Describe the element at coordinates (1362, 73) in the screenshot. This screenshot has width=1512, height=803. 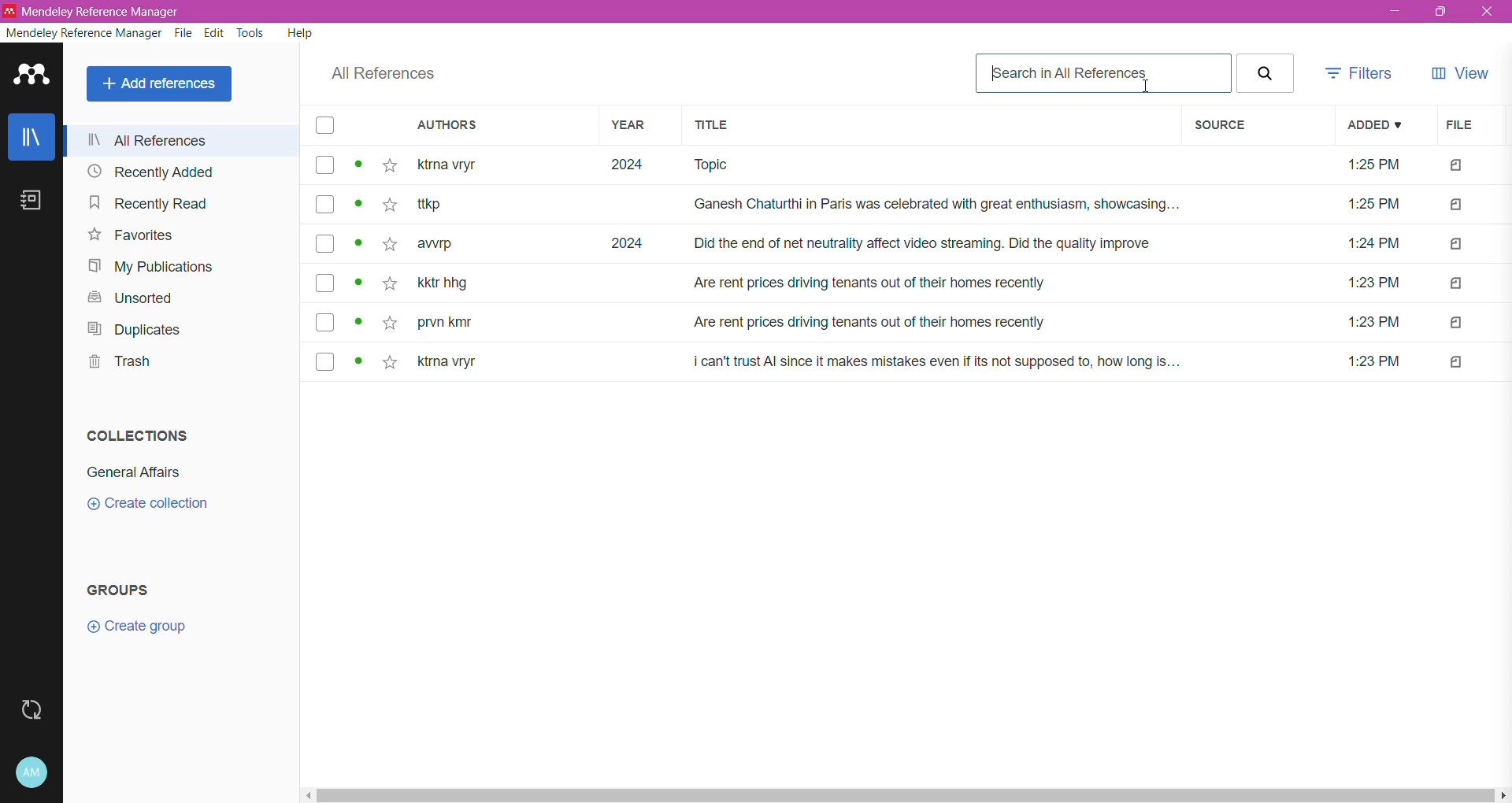
I see `Filters` at that location.